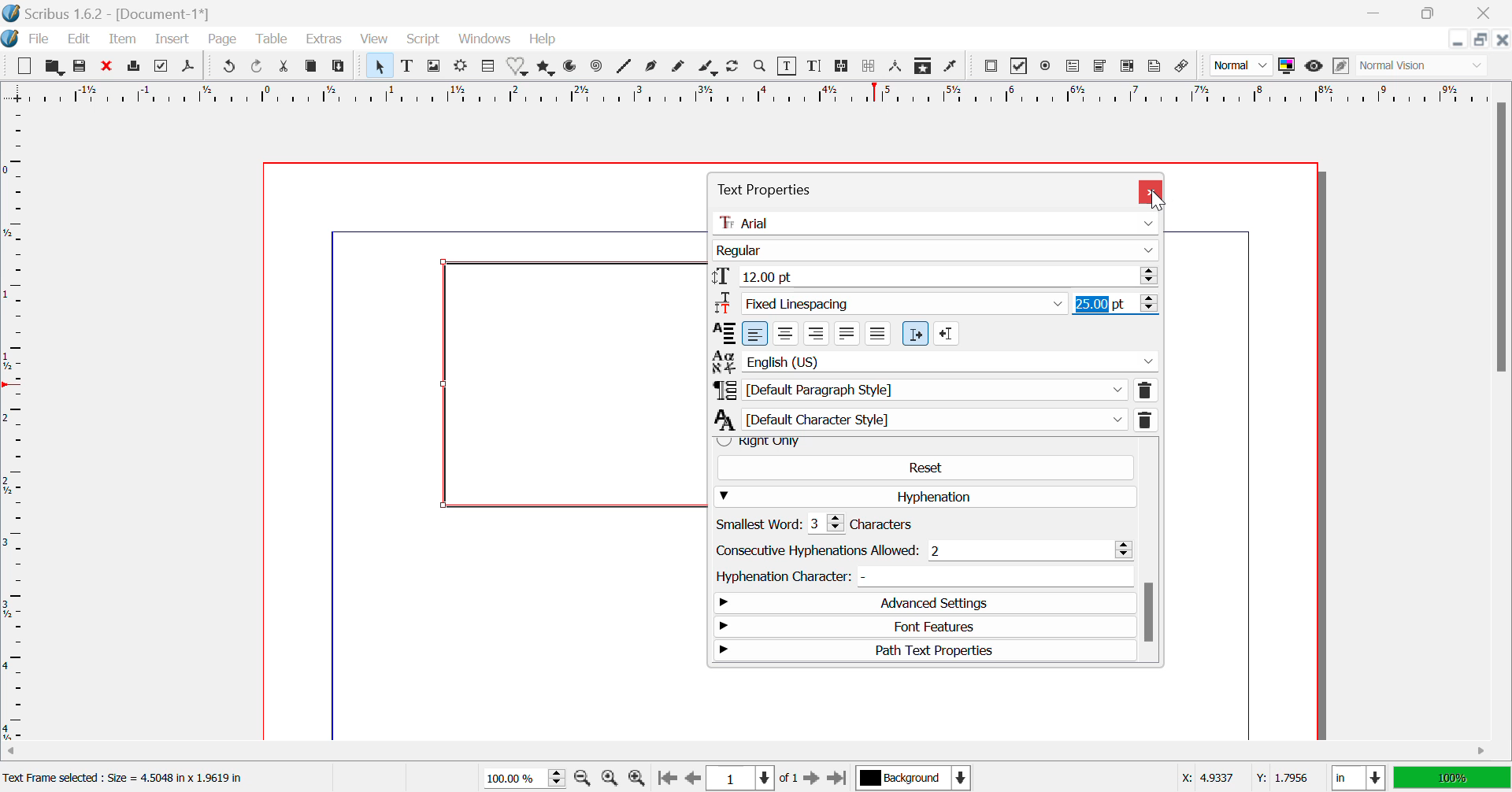 The image size is (1512, 792). What do you see at coordinates (543, 40) in the screenshot?
I see `Help` at bounding box center [543, 40].